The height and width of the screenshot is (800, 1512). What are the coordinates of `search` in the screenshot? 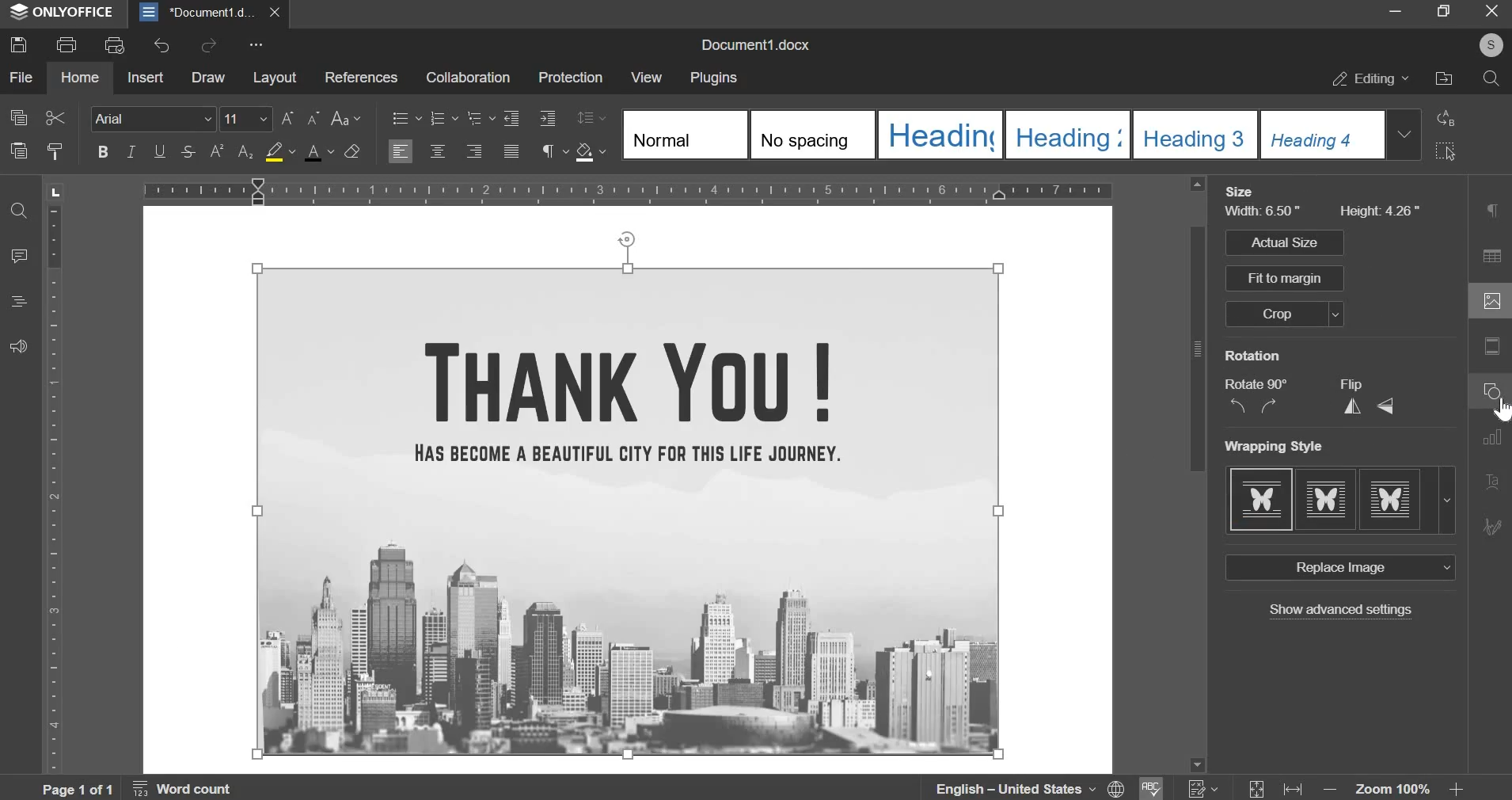 It's located at (1491, 78).